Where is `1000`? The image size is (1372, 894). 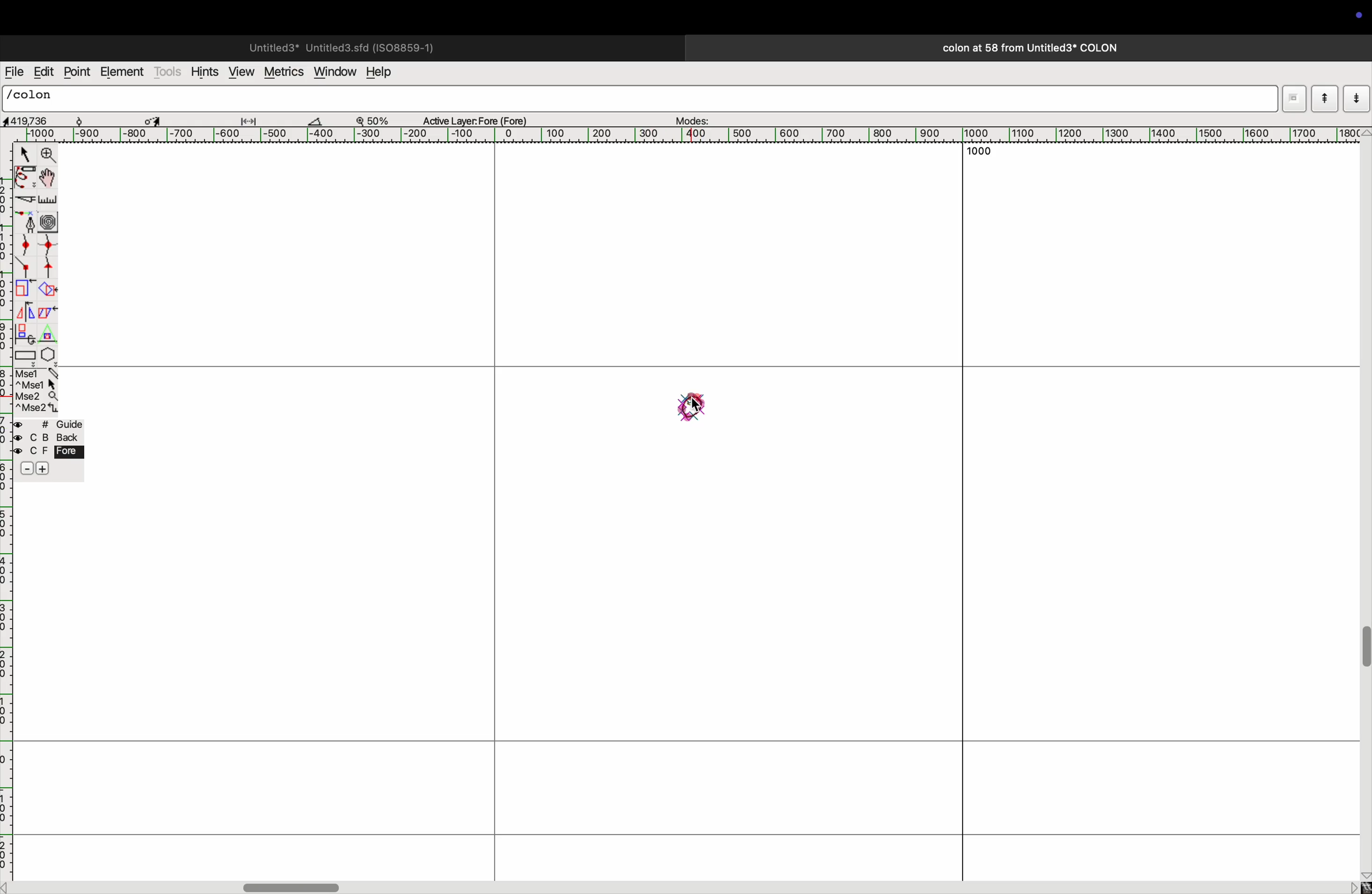
1000 is located at coordinates (978, 152).